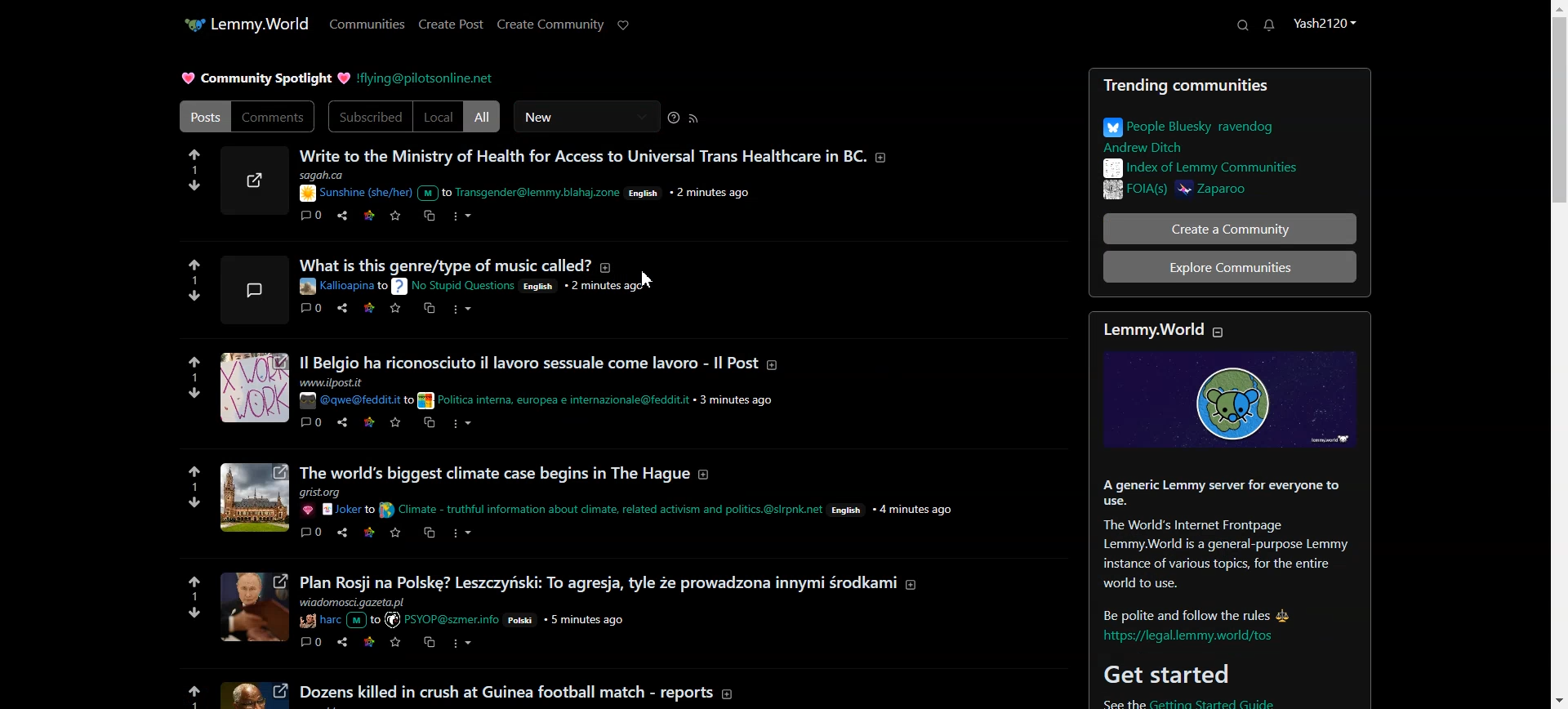 The image size is (1568, 709). What do you see at coordinates (707, 479) in the screenshot?
I see `about` at bounding box center [707, 479].